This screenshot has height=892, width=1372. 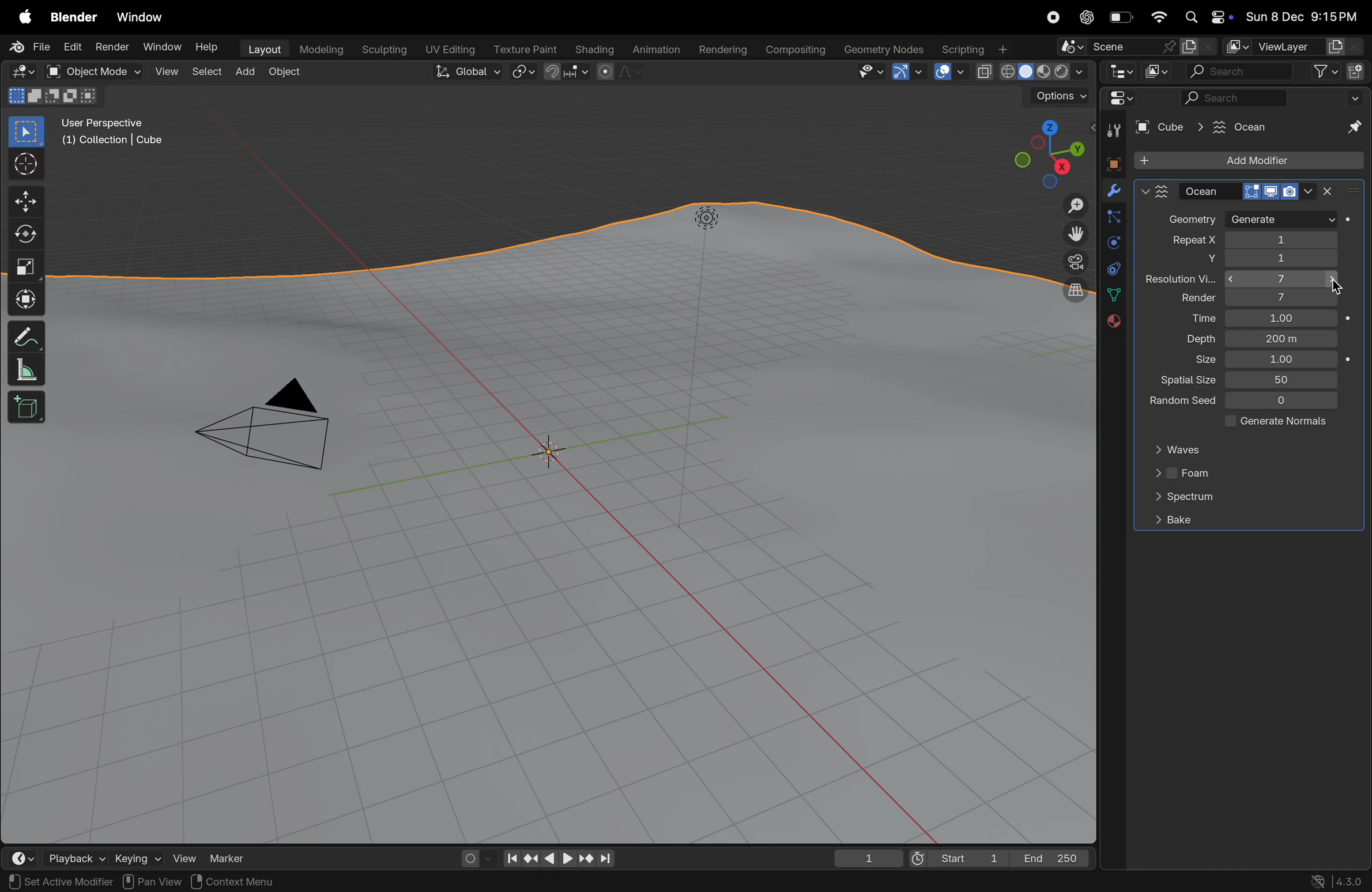 What do you see at coordinates (567, 74) in the screenshot?
I see `` at bounding box center [567, 74].